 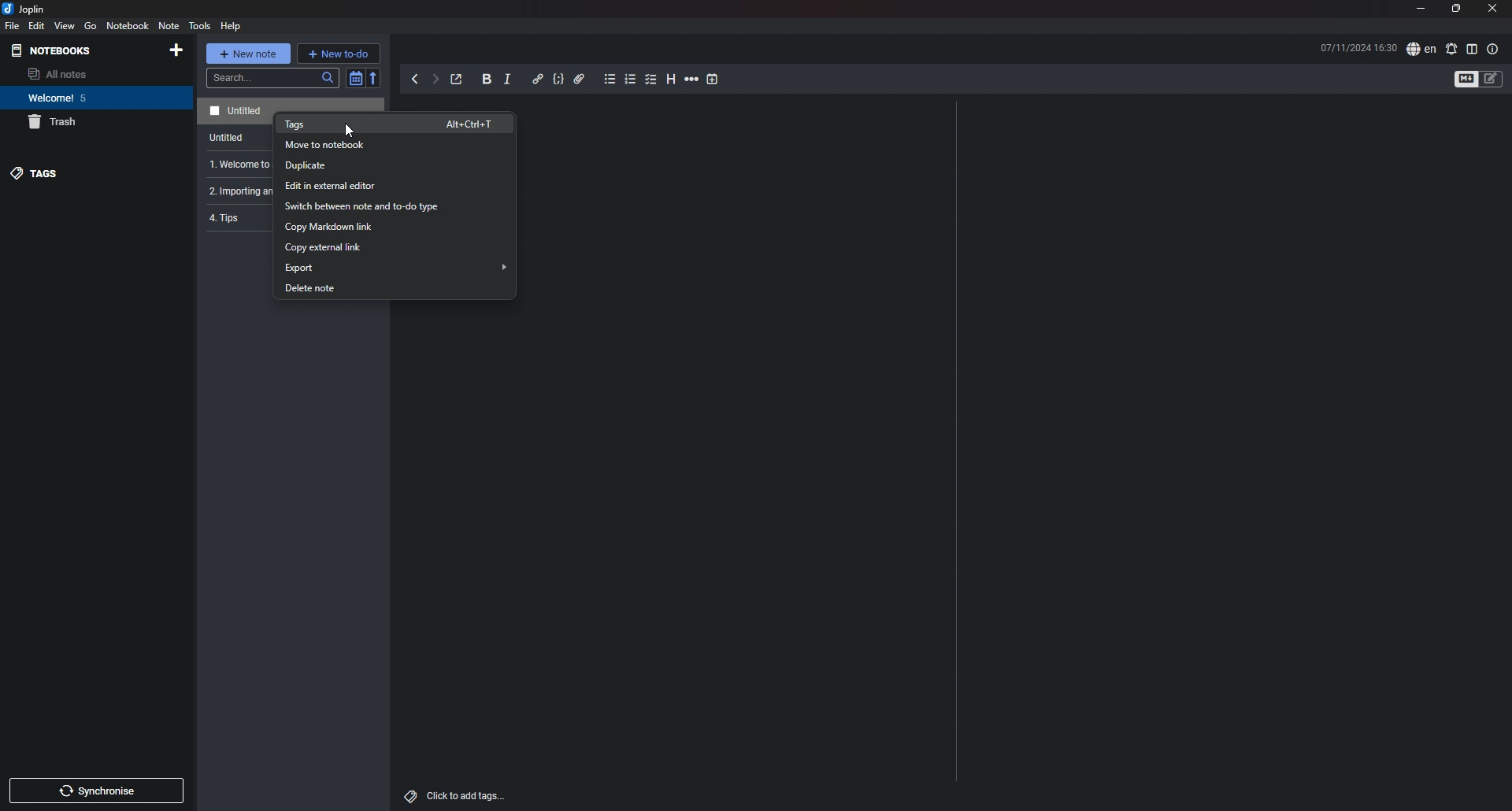 What do you see at coordinates (691, 80) in the screenshot?
I see `horizontal rule` at bounding box center [691, 80].